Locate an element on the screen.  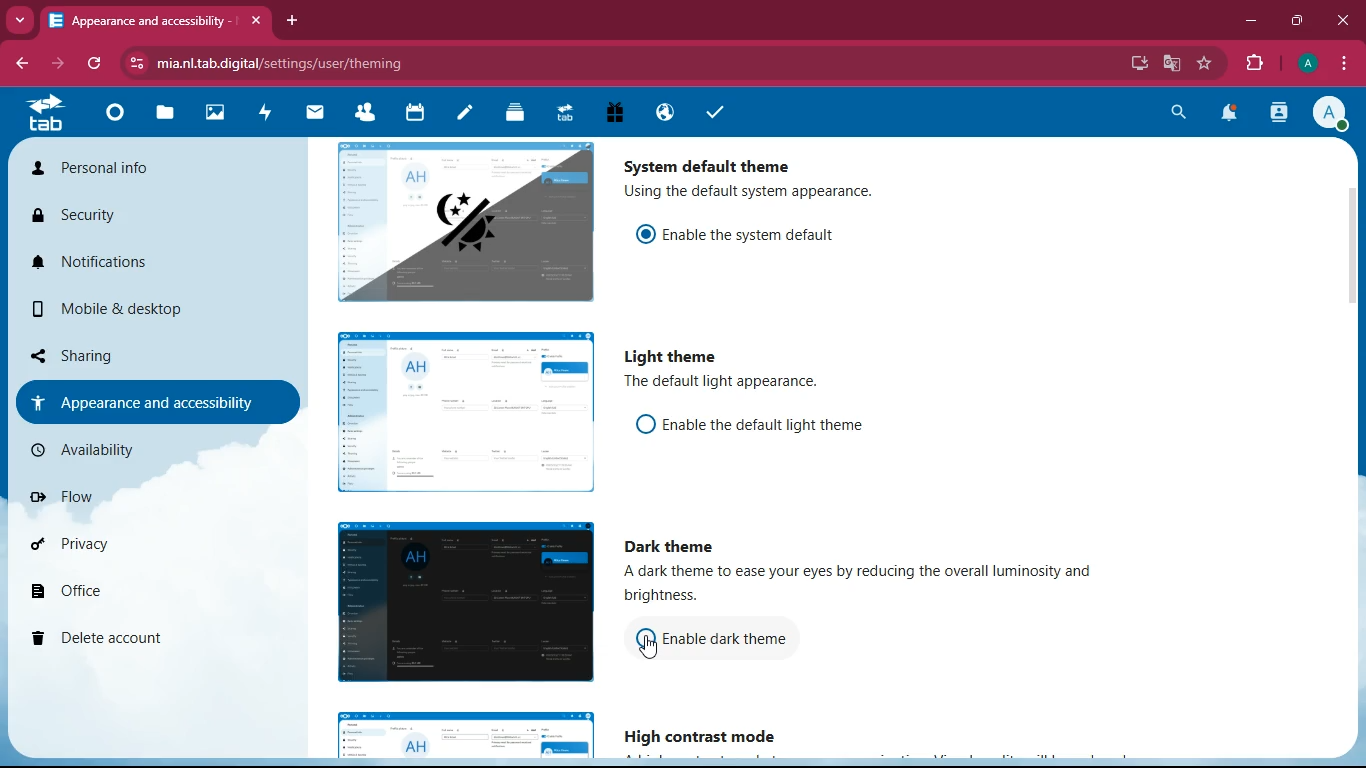
more is located at coordinates (22, 20).